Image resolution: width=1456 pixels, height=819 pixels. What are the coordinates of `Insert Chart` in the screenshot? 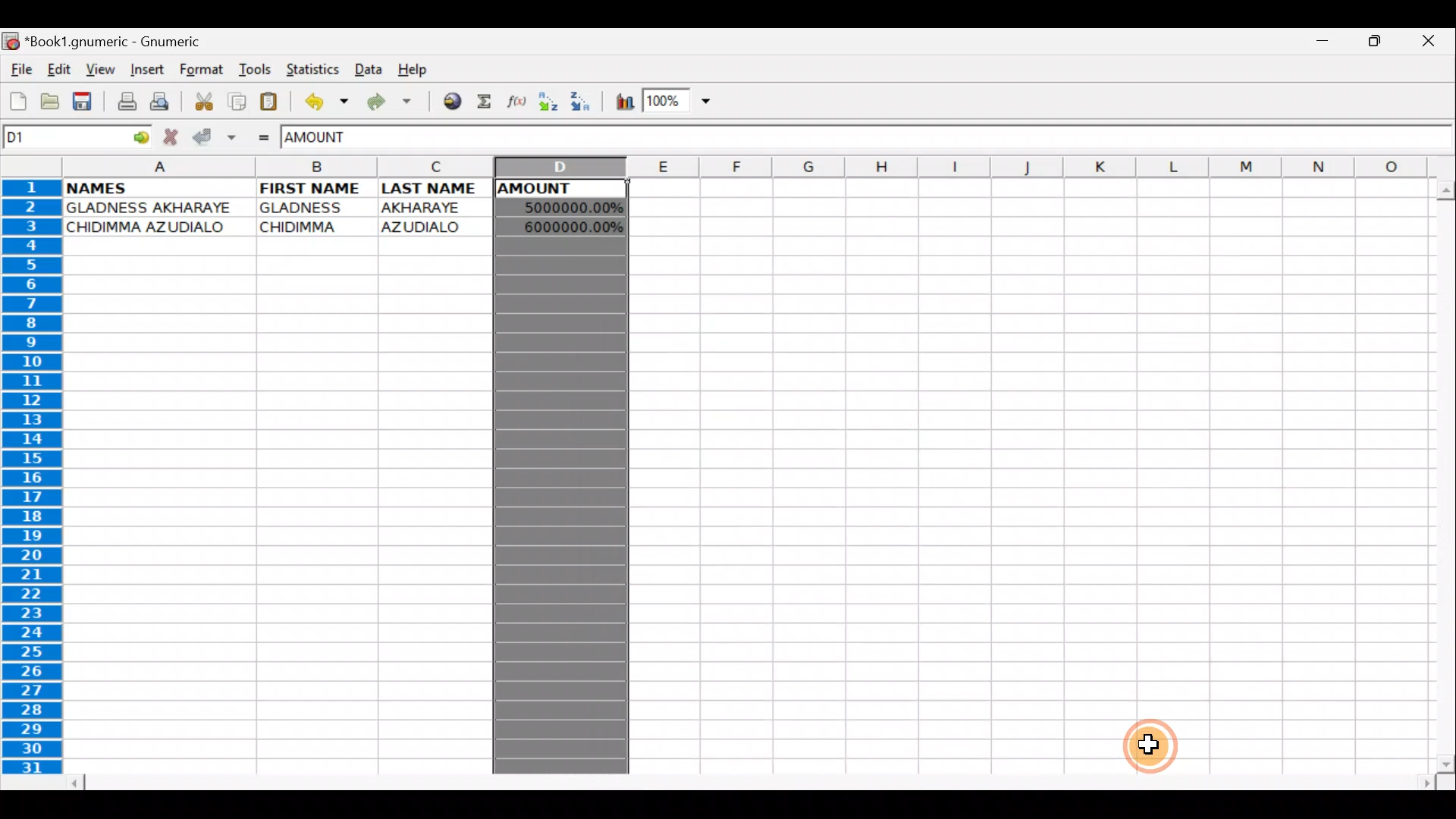 It's located at (619, 102).